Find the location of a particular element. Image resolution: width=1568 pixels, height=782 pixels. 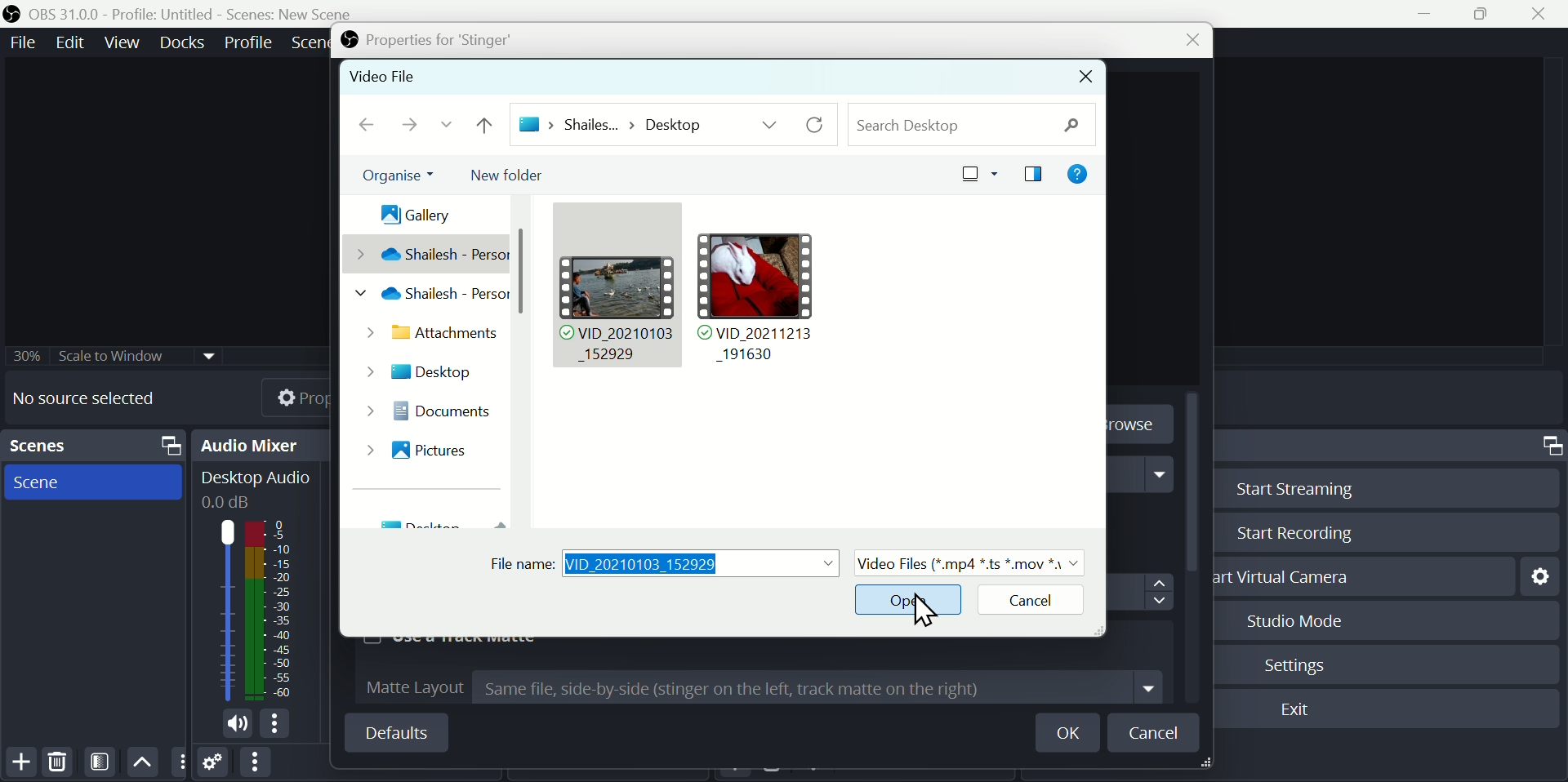

properties for Stinger is located at coordinates (424, 41).